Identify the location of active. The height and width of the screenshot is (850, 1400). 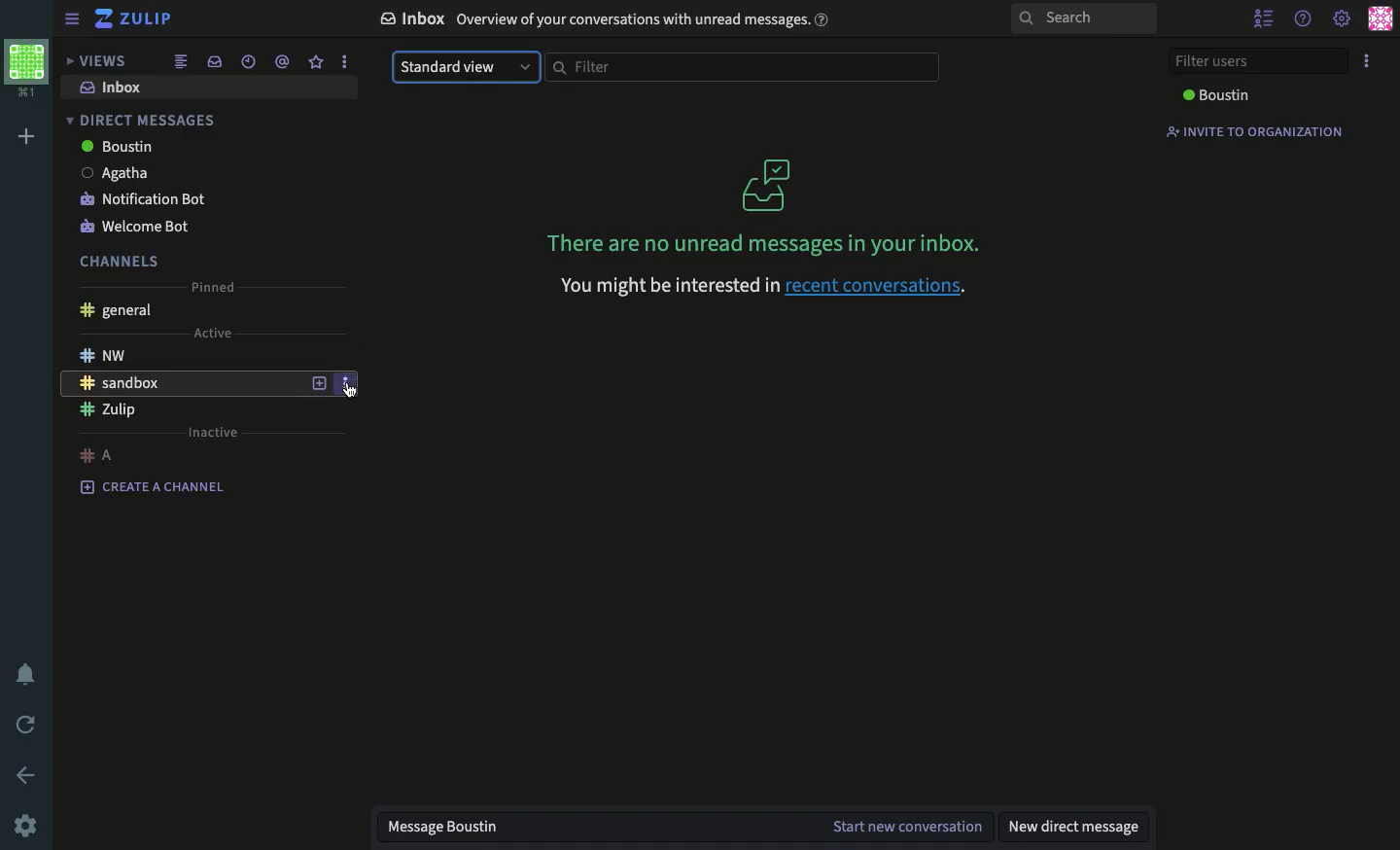
(214, 333).